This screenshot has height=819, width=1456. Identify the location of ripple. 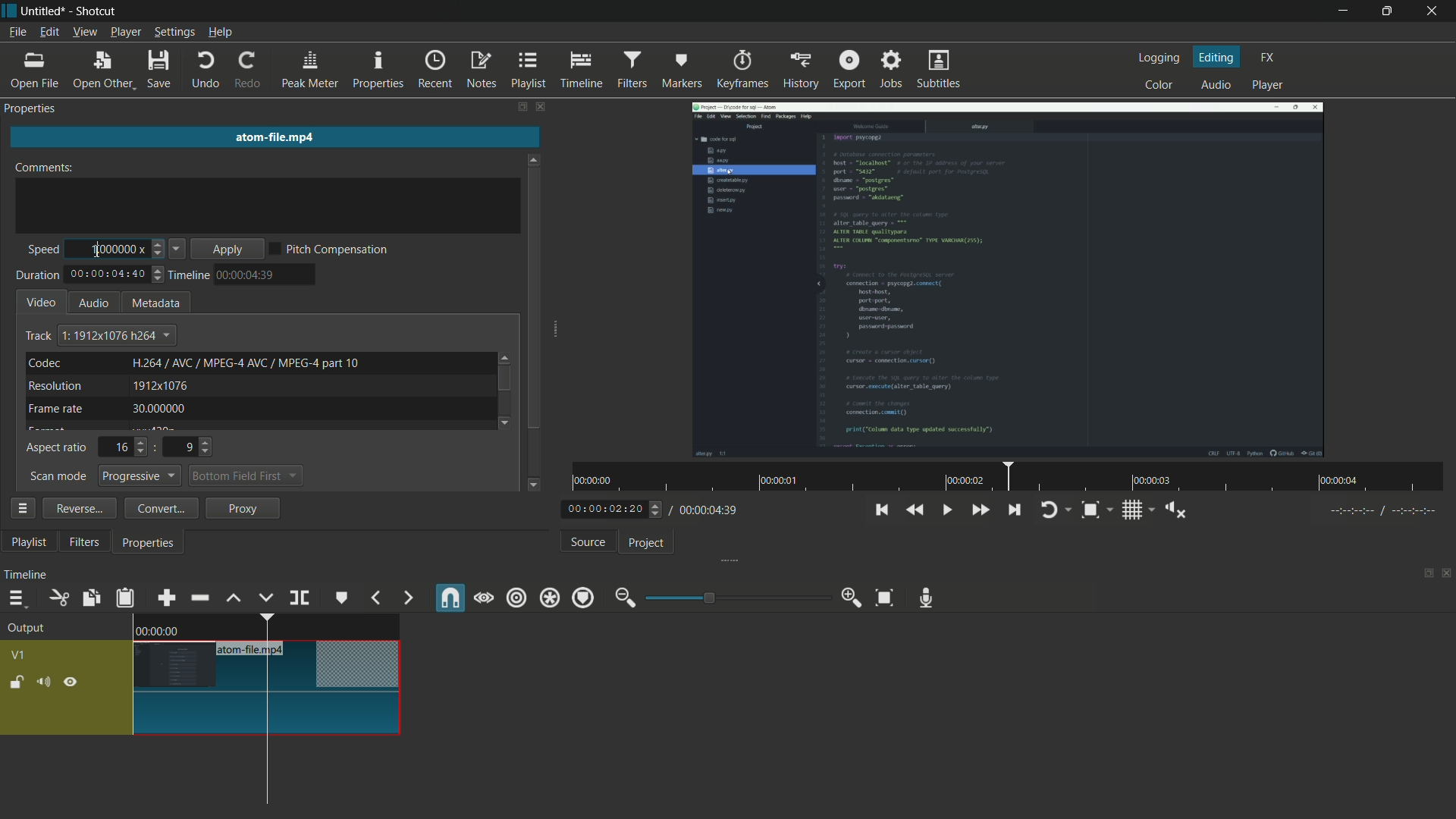
(516, 598).